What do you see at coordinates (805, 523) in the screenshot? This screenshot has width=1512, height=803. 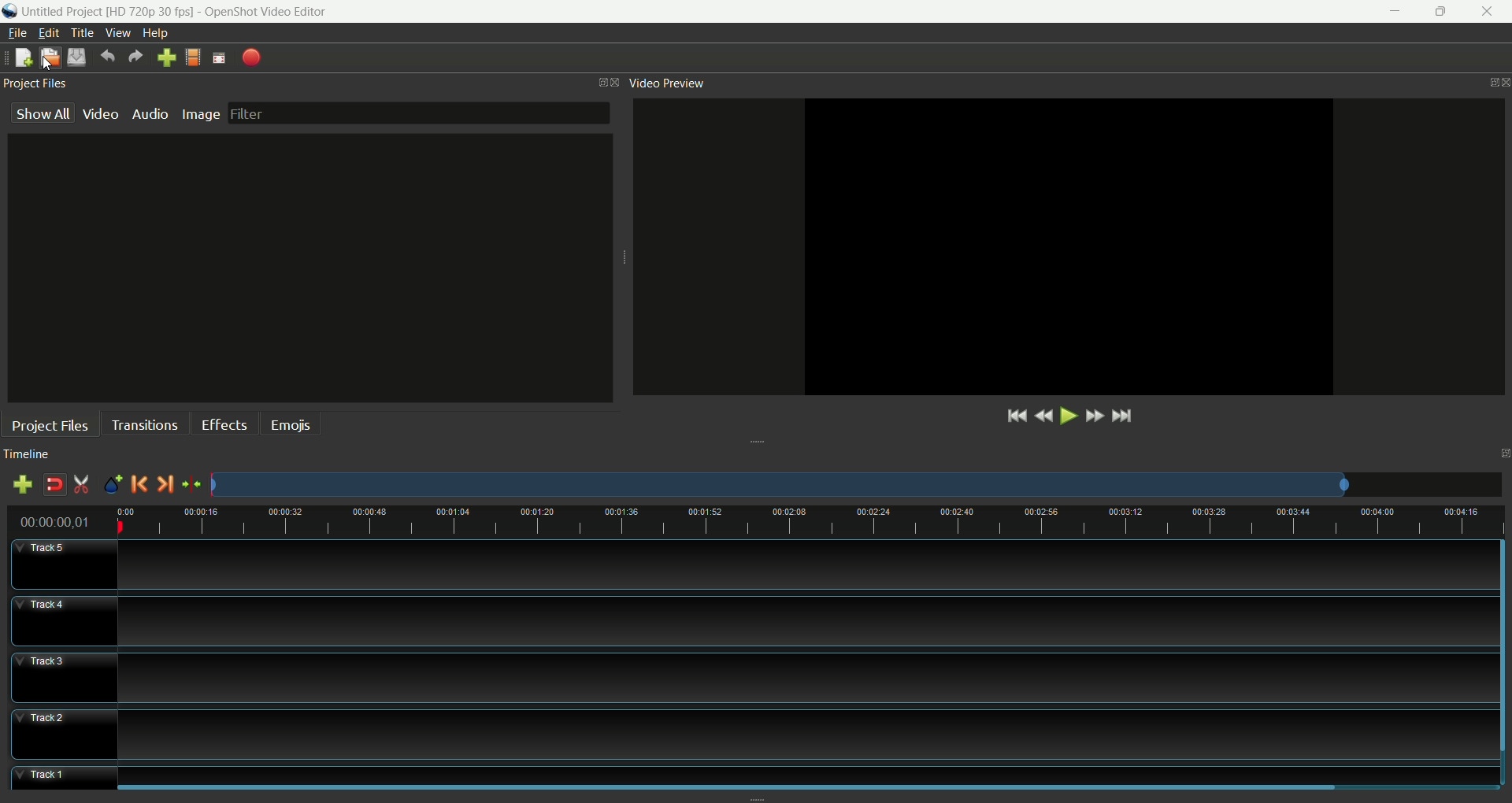 I see `timeline` at bounding box center [805, 523].